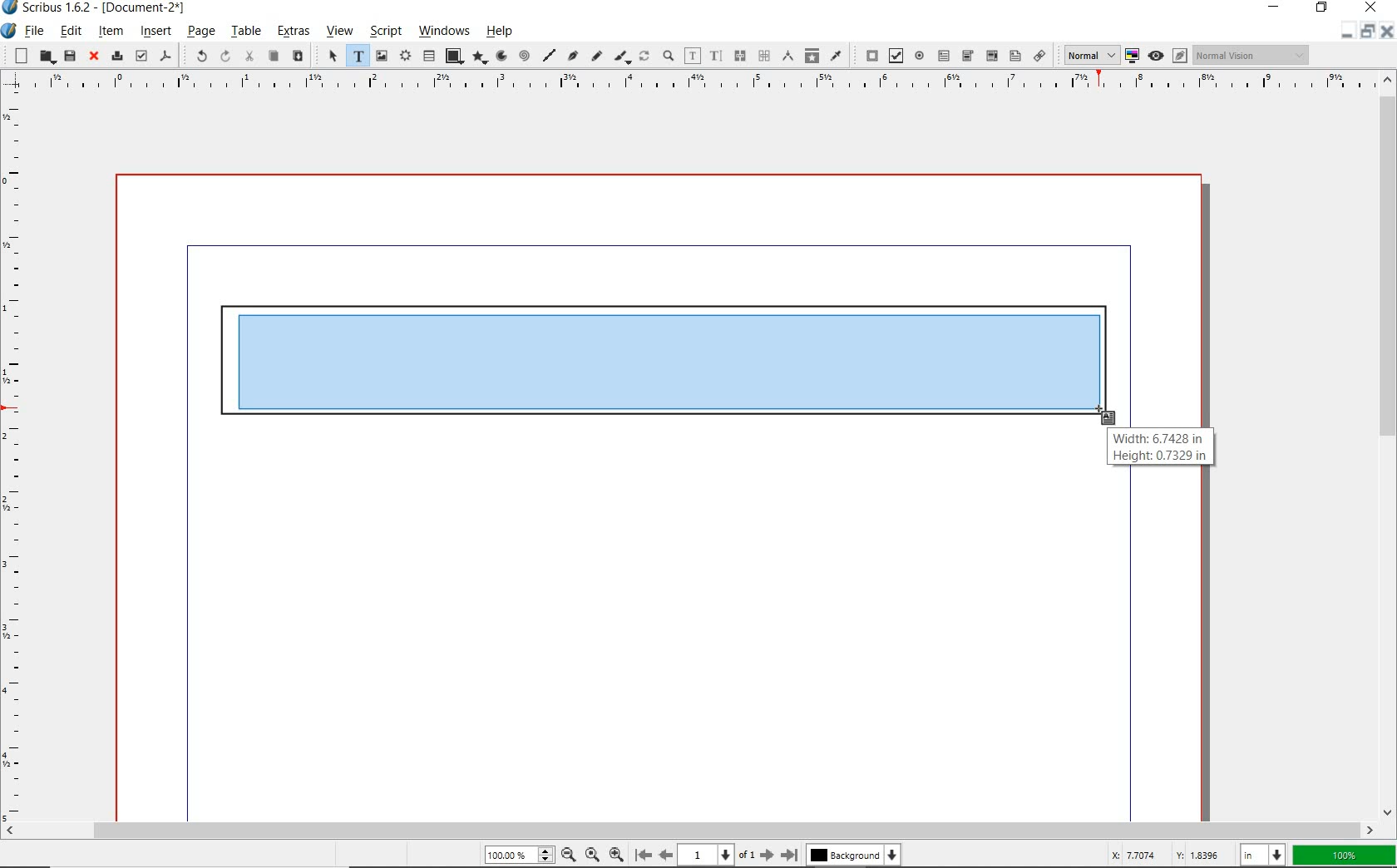  Describe the element at coordinates (1389, 445) in the screenshot. I see `scrollbar` at that location.